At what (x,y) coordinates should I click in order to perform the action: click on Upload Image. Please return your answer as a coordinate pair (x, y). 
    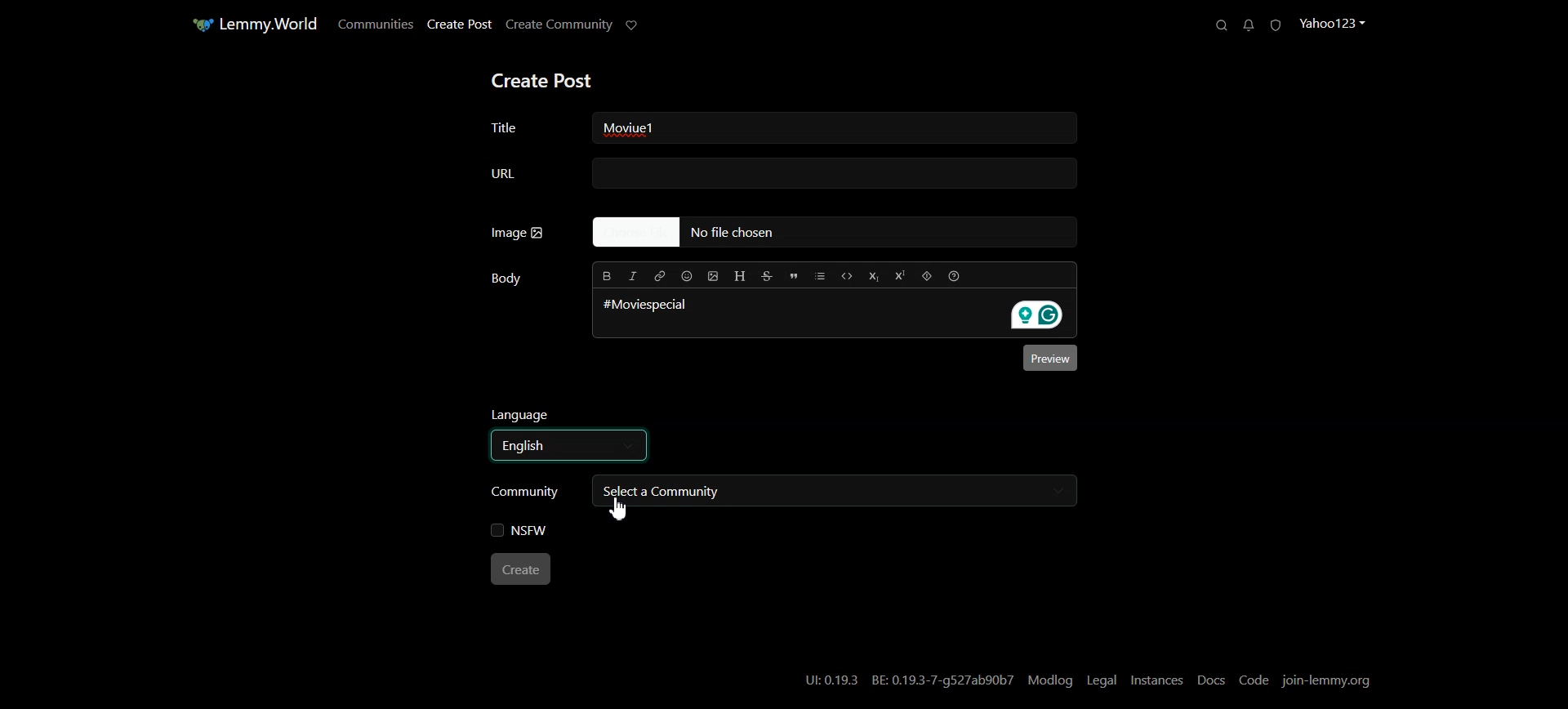
    Looking at the image, I should click on (714, 276).